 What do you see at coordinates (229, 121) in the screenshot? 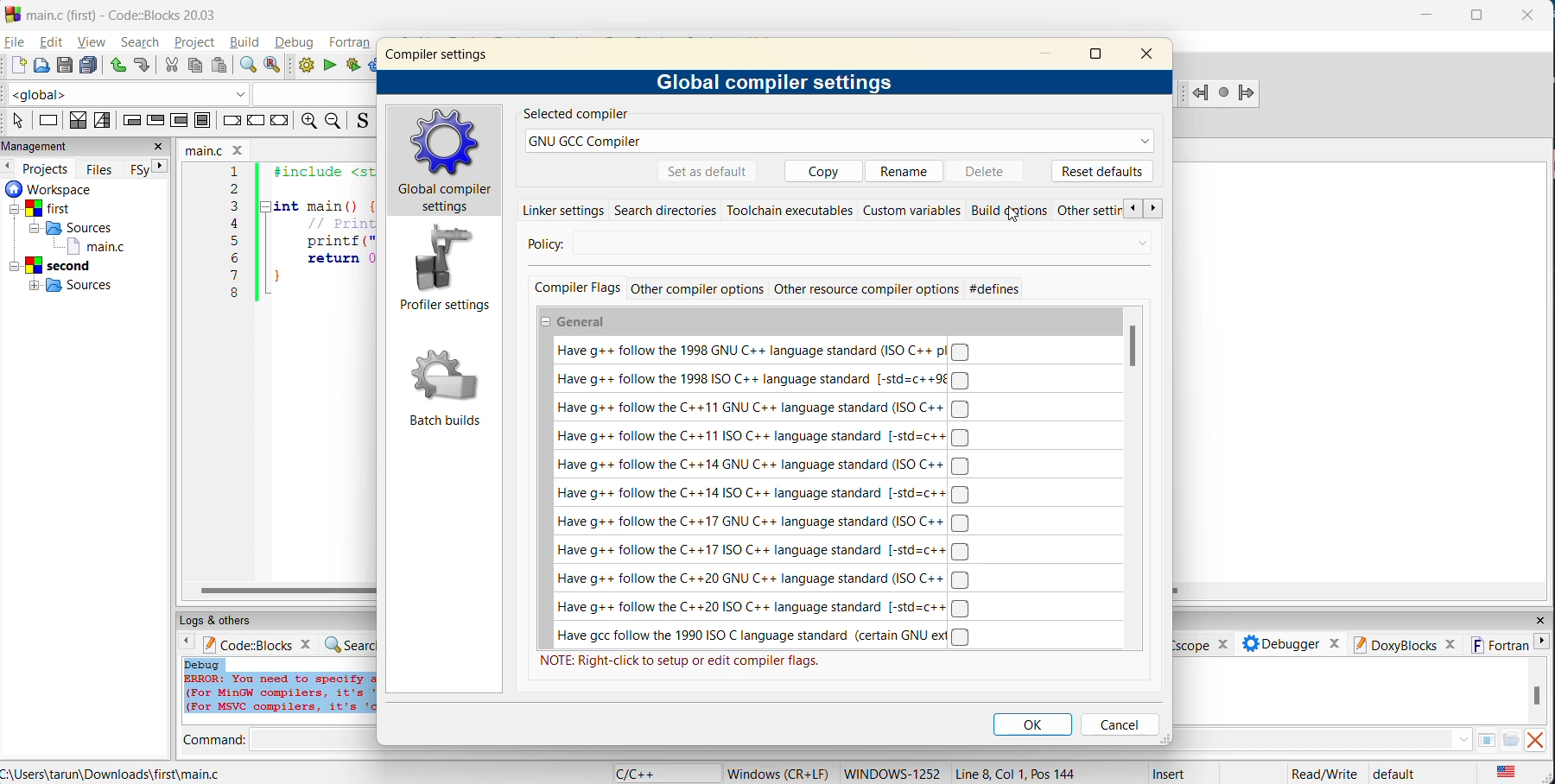
I see `break instruction` at bounding box center [229, 121].